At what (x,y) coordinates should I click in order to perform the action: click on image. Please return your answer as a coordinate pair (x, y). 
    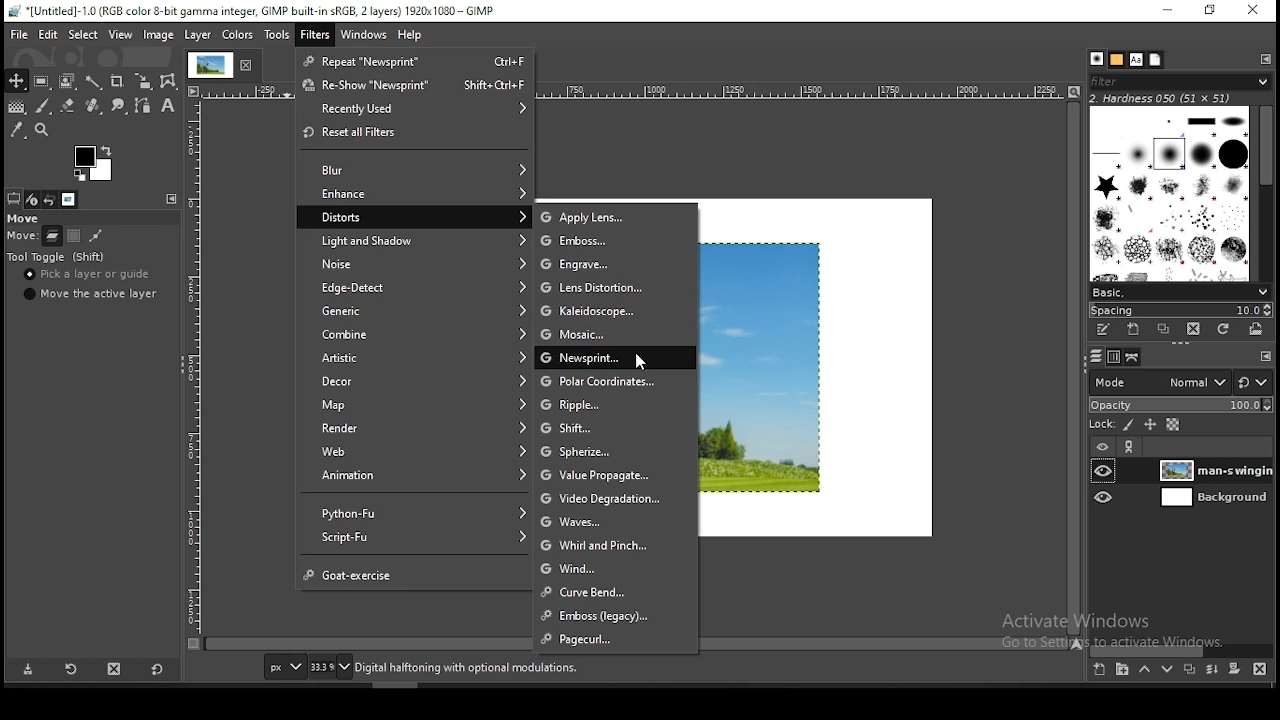
    Looking at the image, I should click on (159, 35).